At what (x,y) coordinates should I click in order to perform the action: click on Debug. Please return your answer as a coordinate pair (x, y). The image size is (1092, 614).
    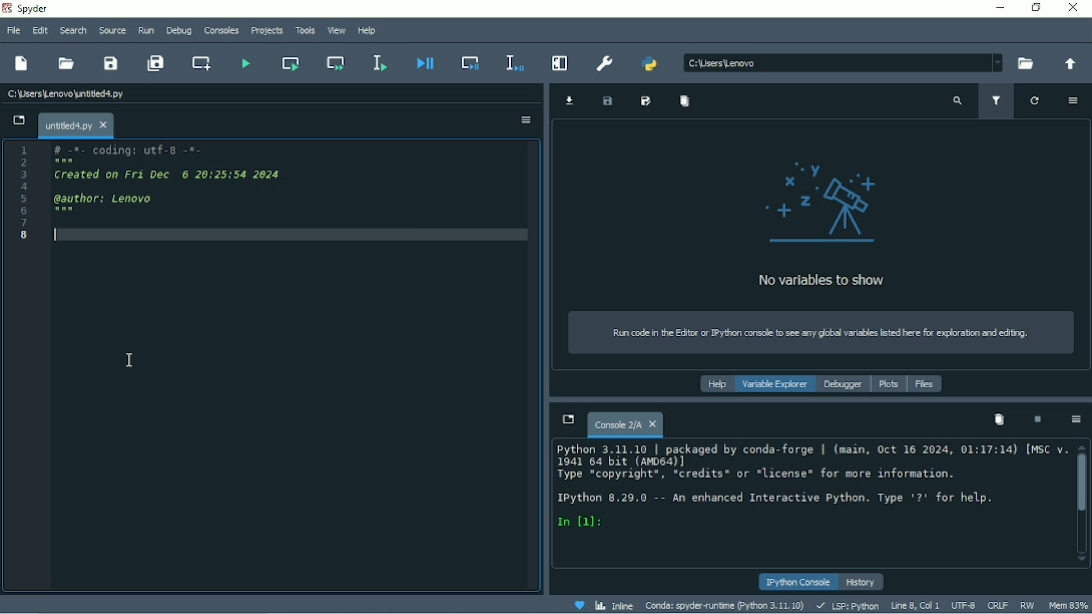
    Looking at the image, I should click on (179, 32).